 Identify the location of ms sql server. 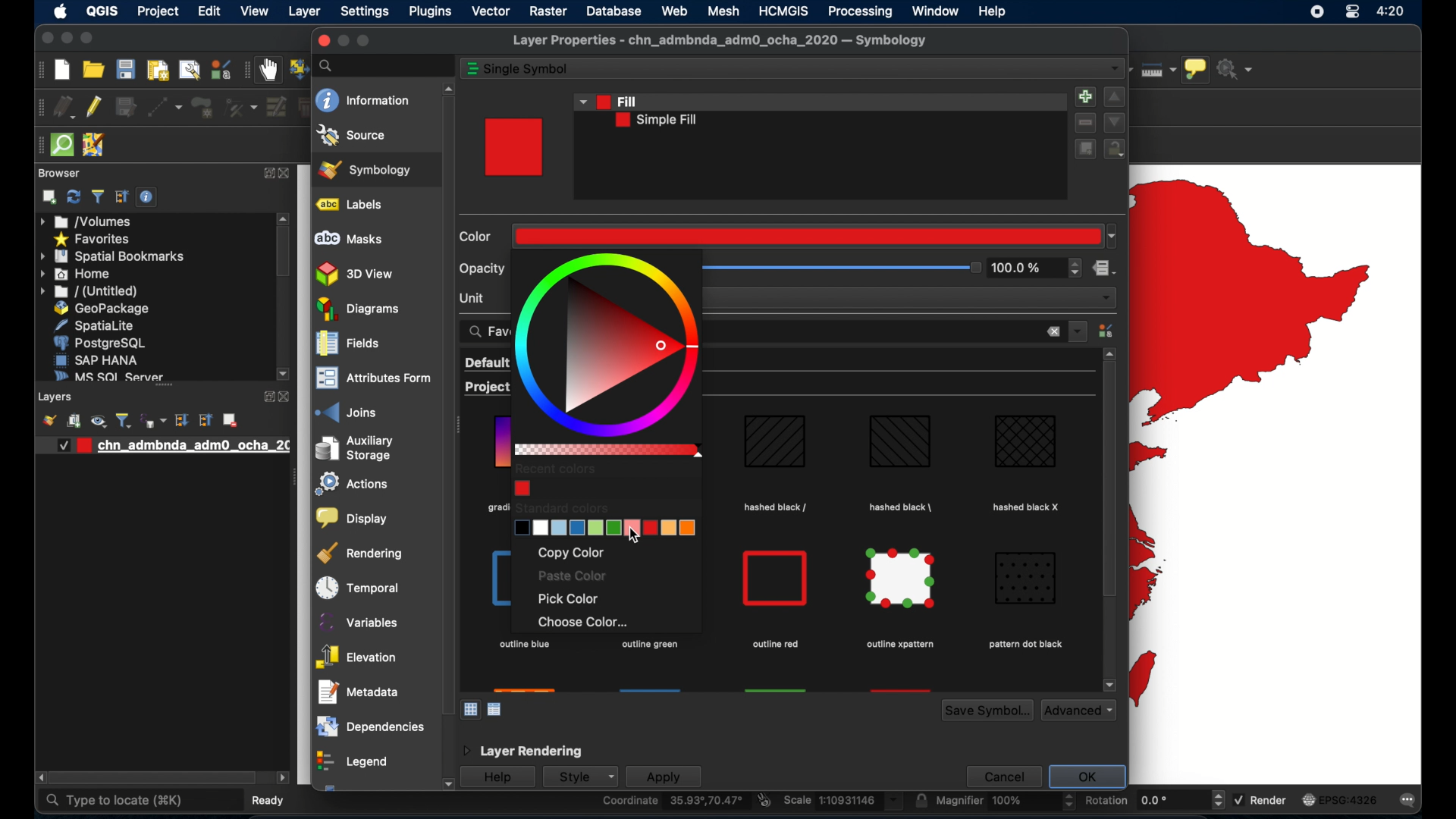
(106, 375).